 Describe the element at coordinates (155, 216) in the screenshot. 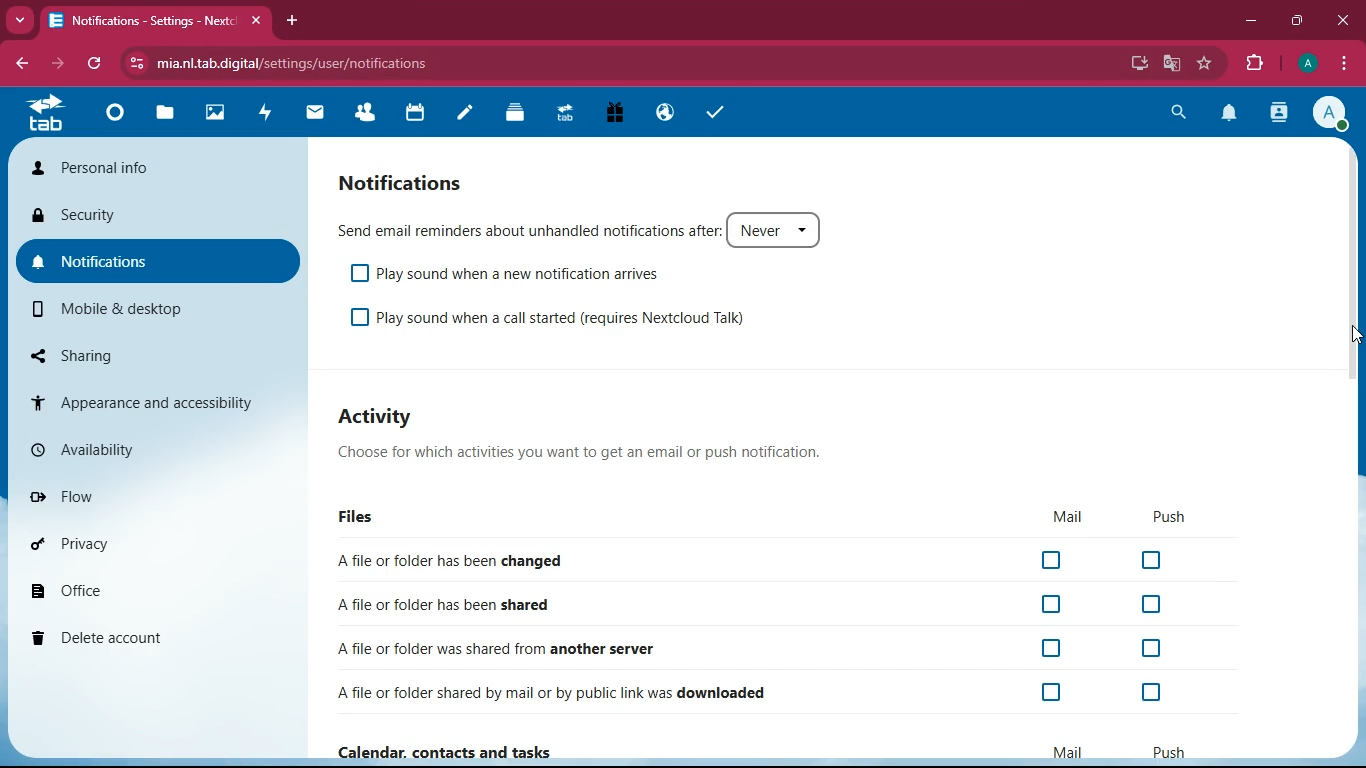

I see `security` at that location.